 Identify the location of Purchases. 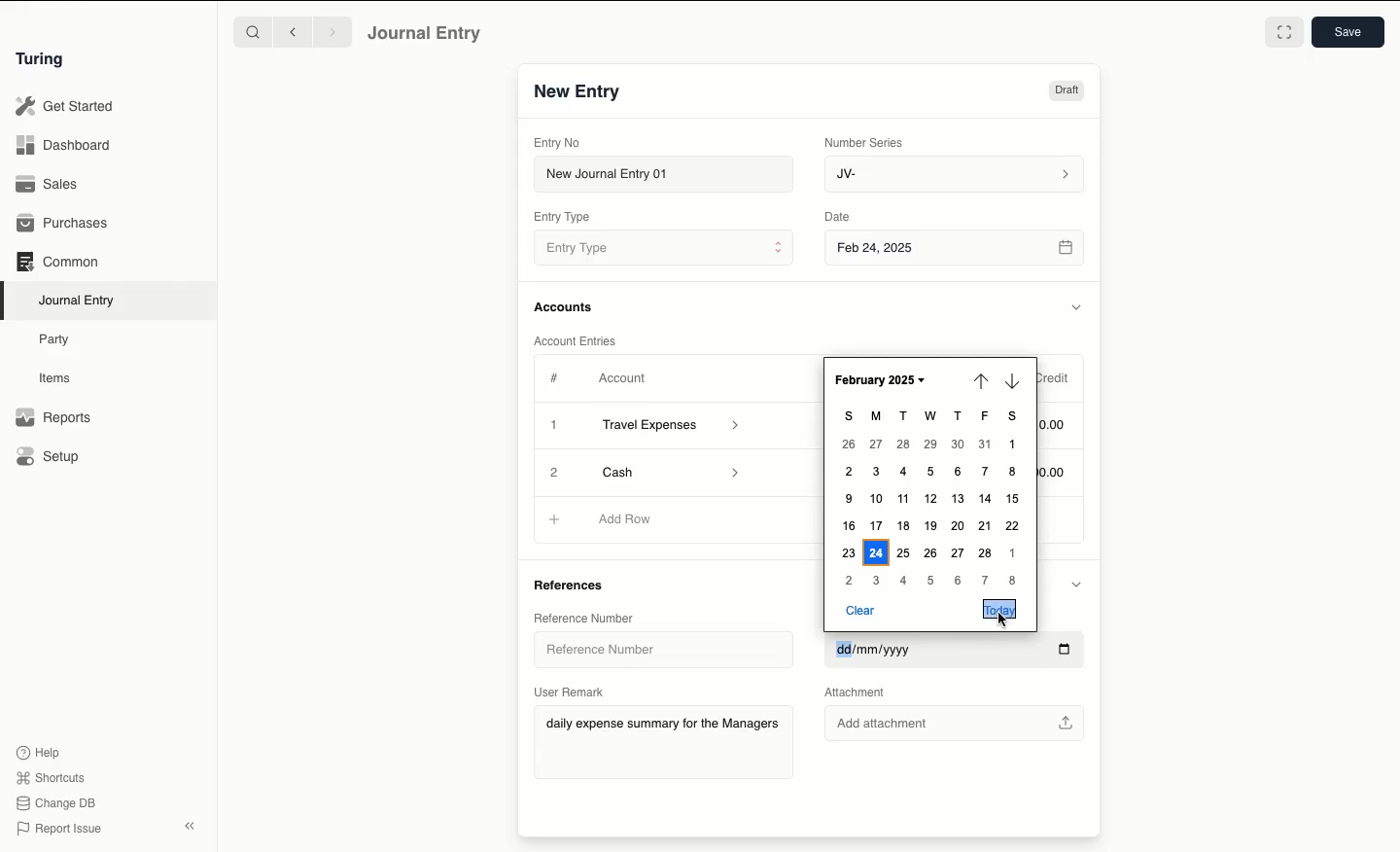
(63, 225).